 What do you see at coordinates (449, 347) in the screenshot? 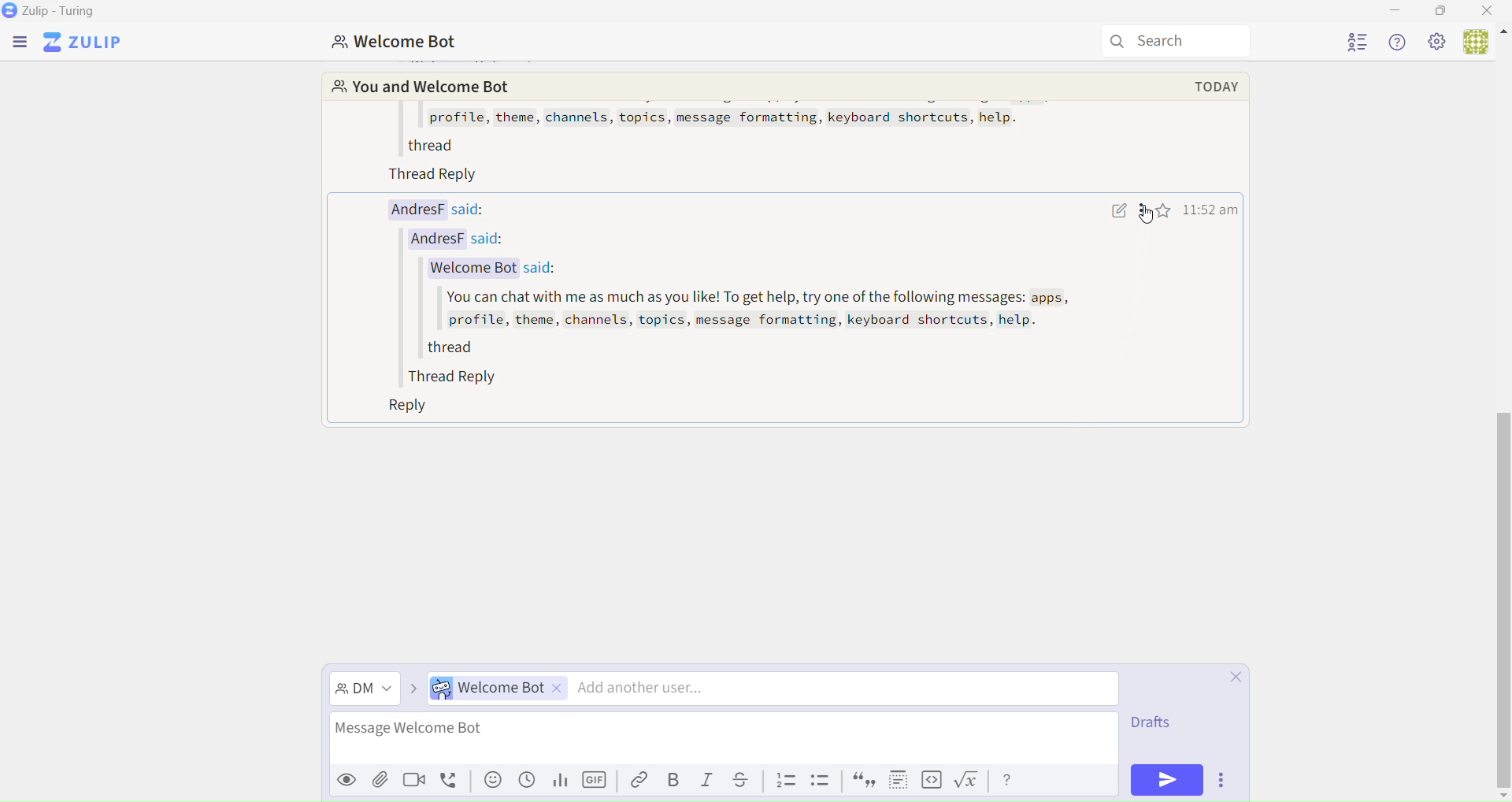
I see `thread` at bounding box center [449, 347].